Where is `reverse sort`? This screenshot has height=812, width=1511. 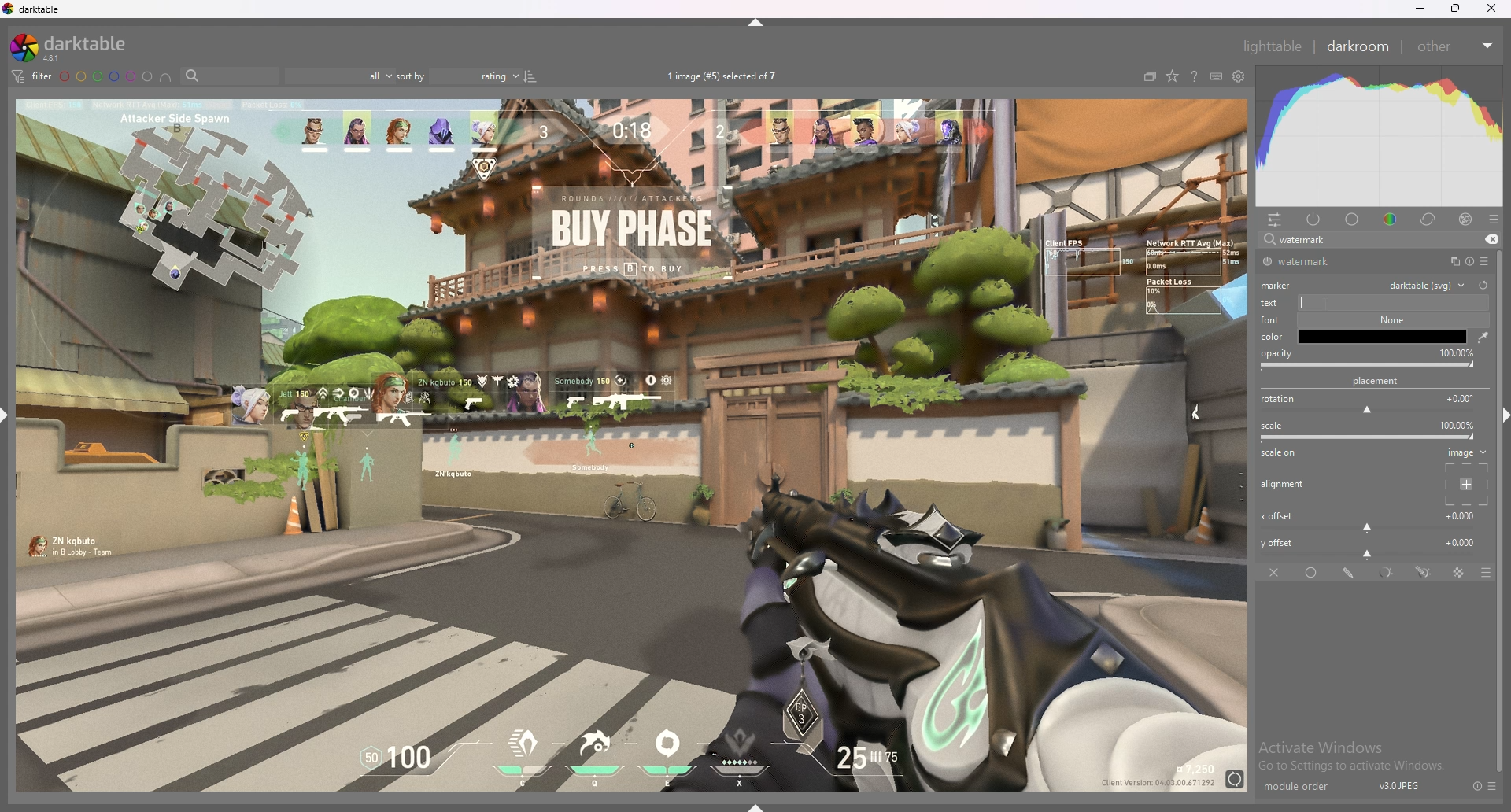
reverse sort is located at coordinates (530, 76).